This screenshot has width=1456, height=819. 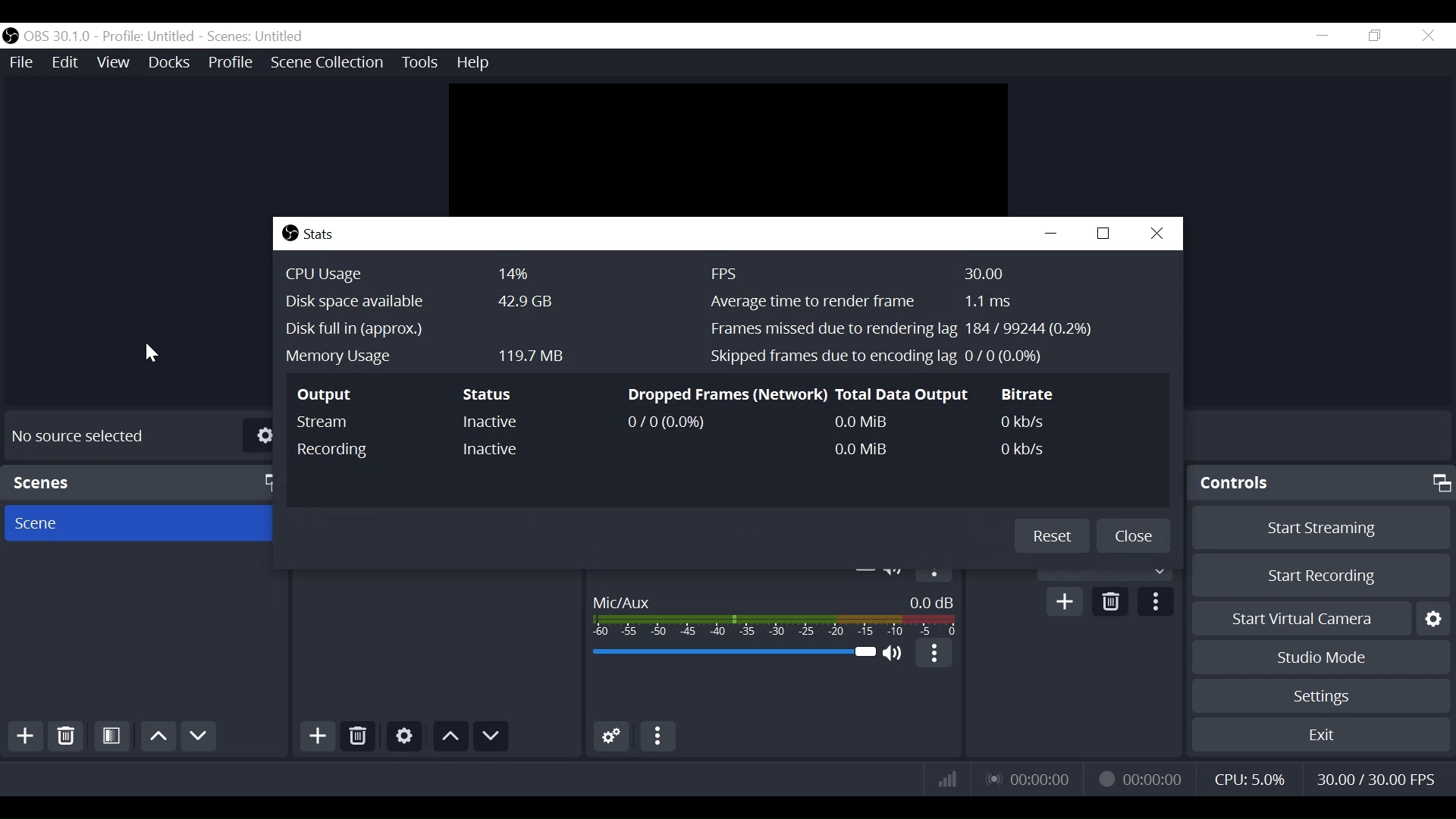 What do you see at coordinates (1319, 576) in the screenshot?
I see `Start Recording` at bounding box center [1319, 576].